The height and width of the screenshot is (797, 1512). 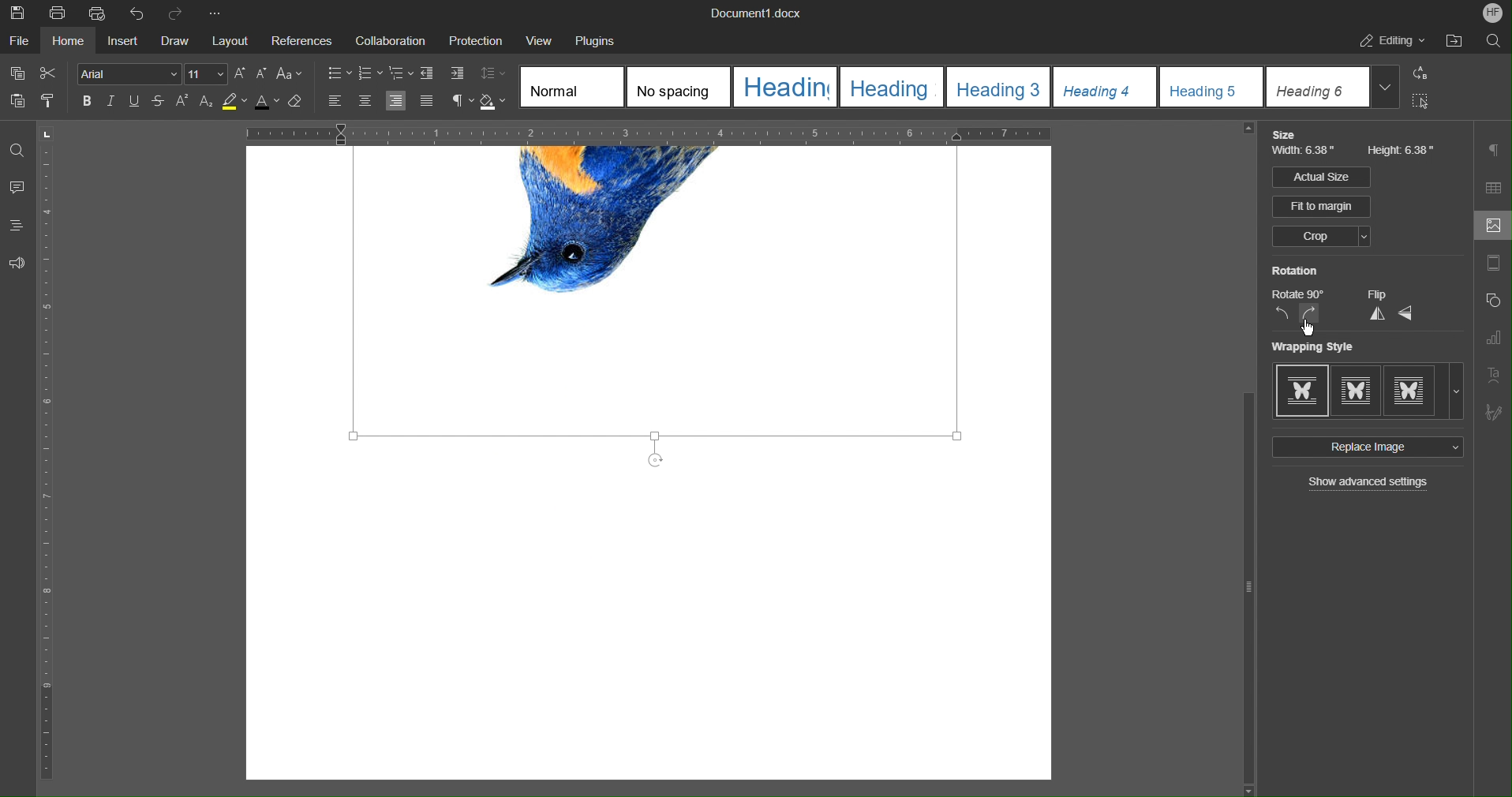 I want to click on Crop, so click(x=1321, y=237).